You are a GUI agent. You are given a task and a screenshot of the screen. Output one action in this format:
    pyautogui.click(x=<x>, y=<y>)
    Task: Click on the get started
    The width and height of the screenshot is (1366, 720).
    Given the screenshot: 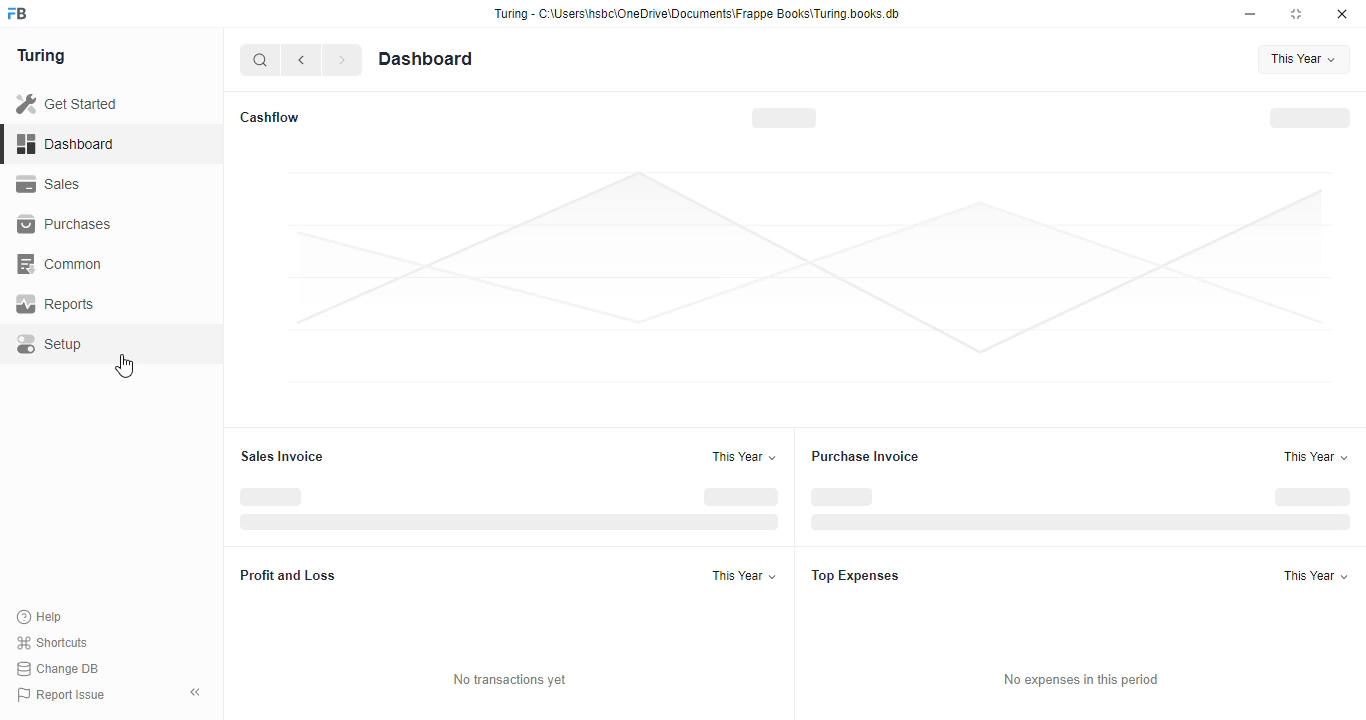 What is the action you would take?
    pyautogui.click(x=66, y=104)
    